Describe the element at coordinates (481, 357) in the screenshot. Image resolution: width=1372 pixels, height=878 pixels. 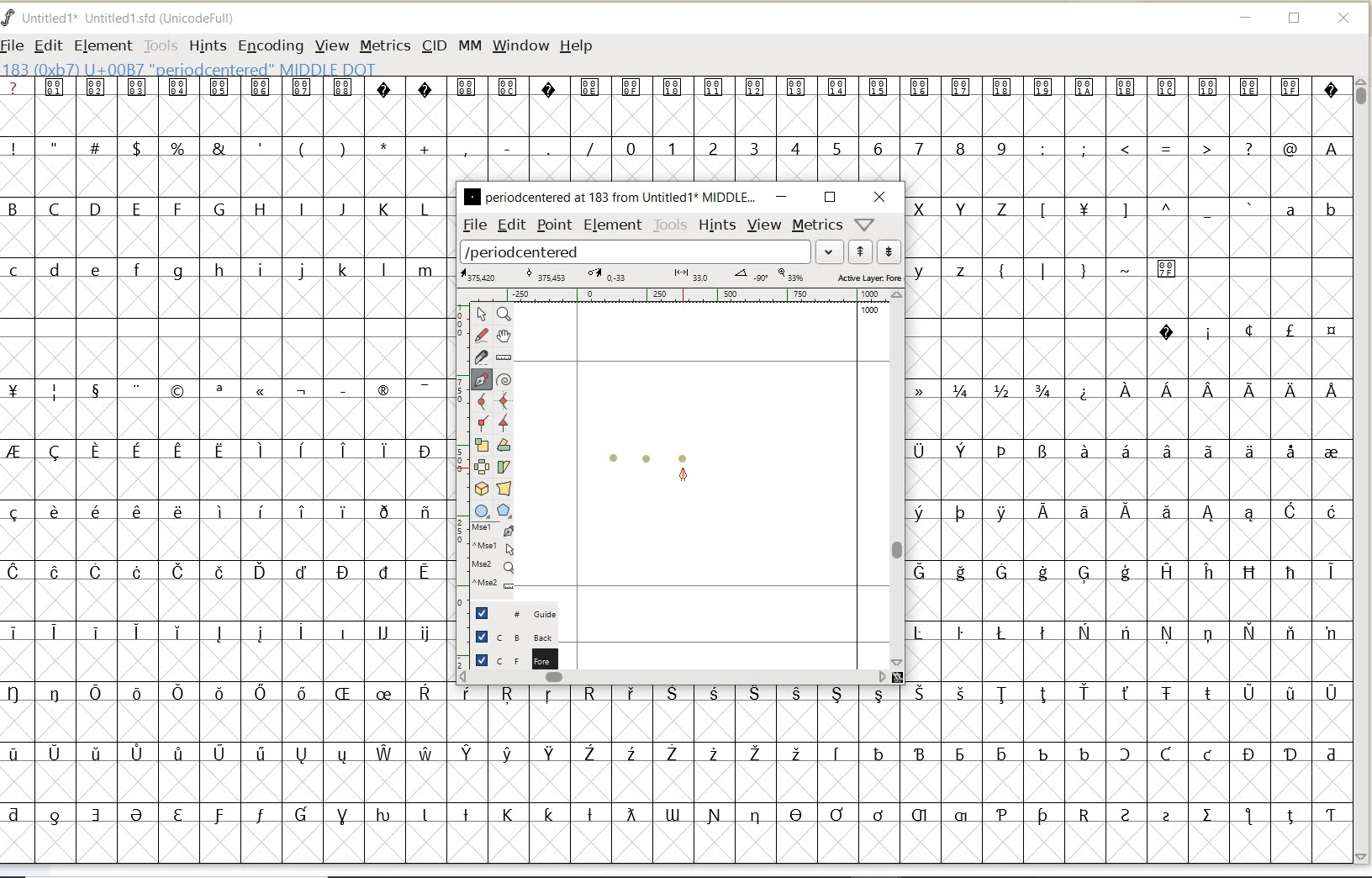
I see `cut splines in two` at that location.